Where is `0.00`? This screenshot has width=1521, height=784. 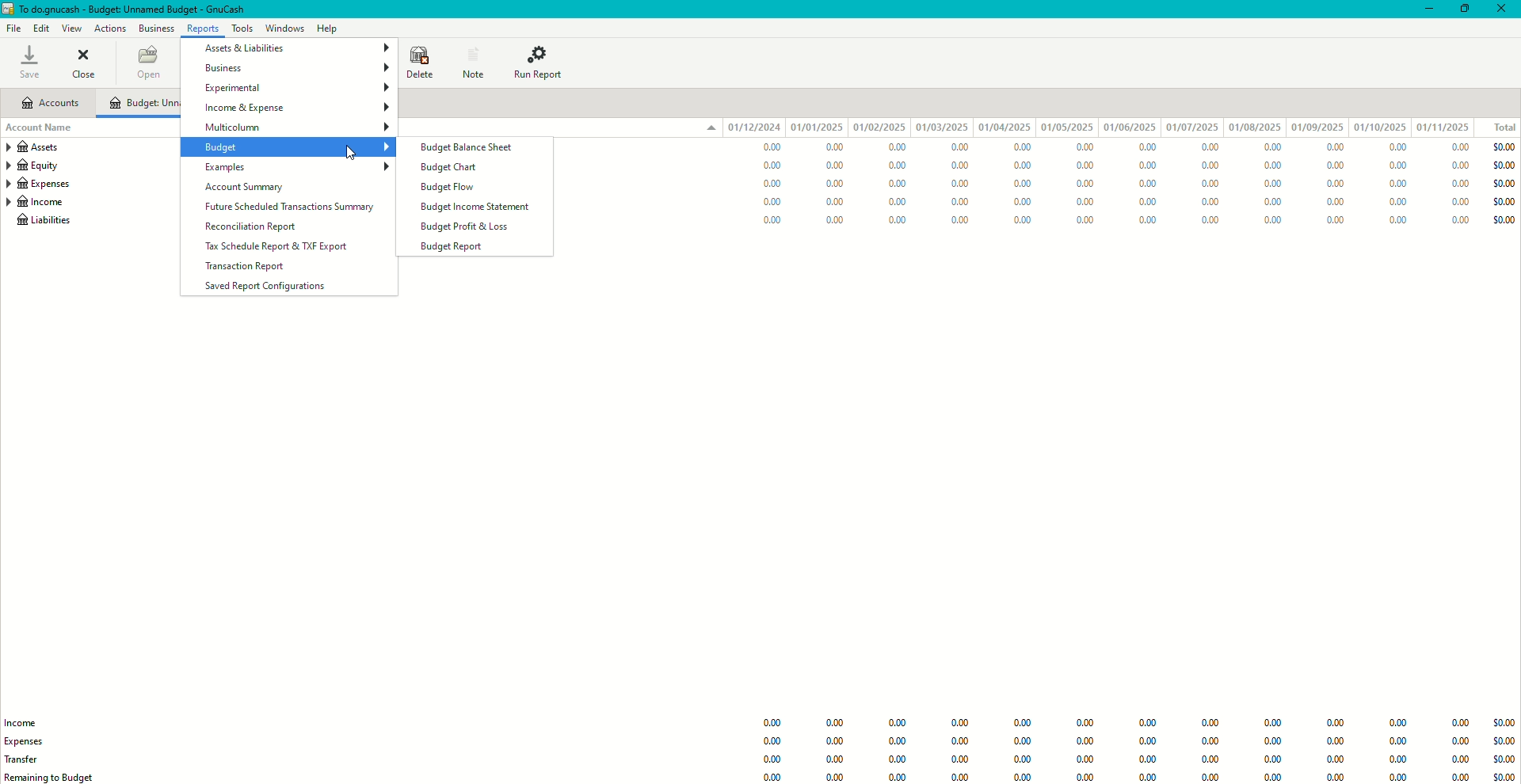 0.00 is located at coordinates (1337, 148).